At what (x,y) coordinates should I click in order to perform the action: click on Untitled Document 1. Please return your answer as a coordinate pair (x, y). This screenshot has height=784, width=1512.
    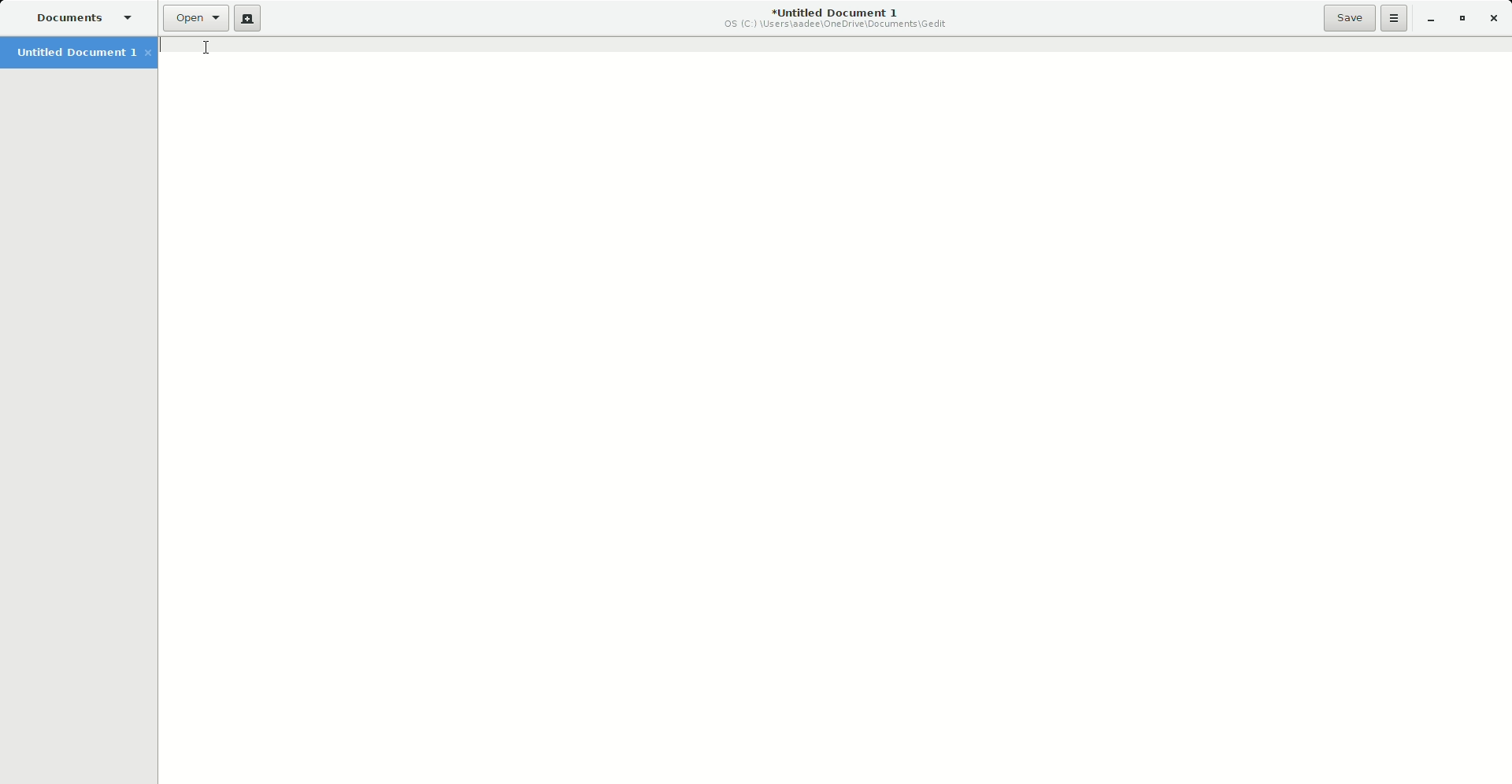
    Looking at the image, I should click on (85, 54).